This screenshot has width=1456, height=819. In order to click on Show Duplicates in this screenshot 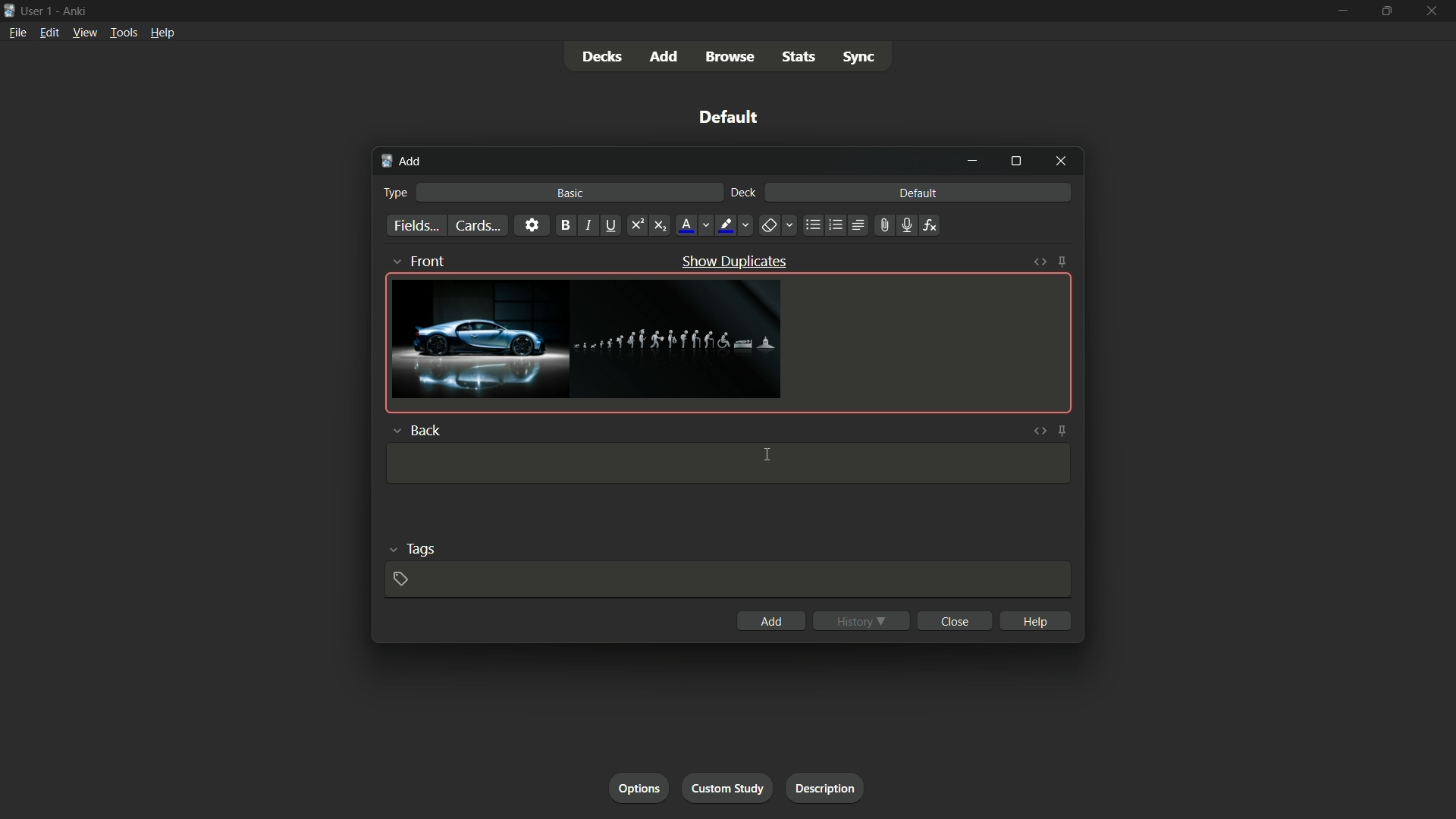, I will do `click(734, 261)`.